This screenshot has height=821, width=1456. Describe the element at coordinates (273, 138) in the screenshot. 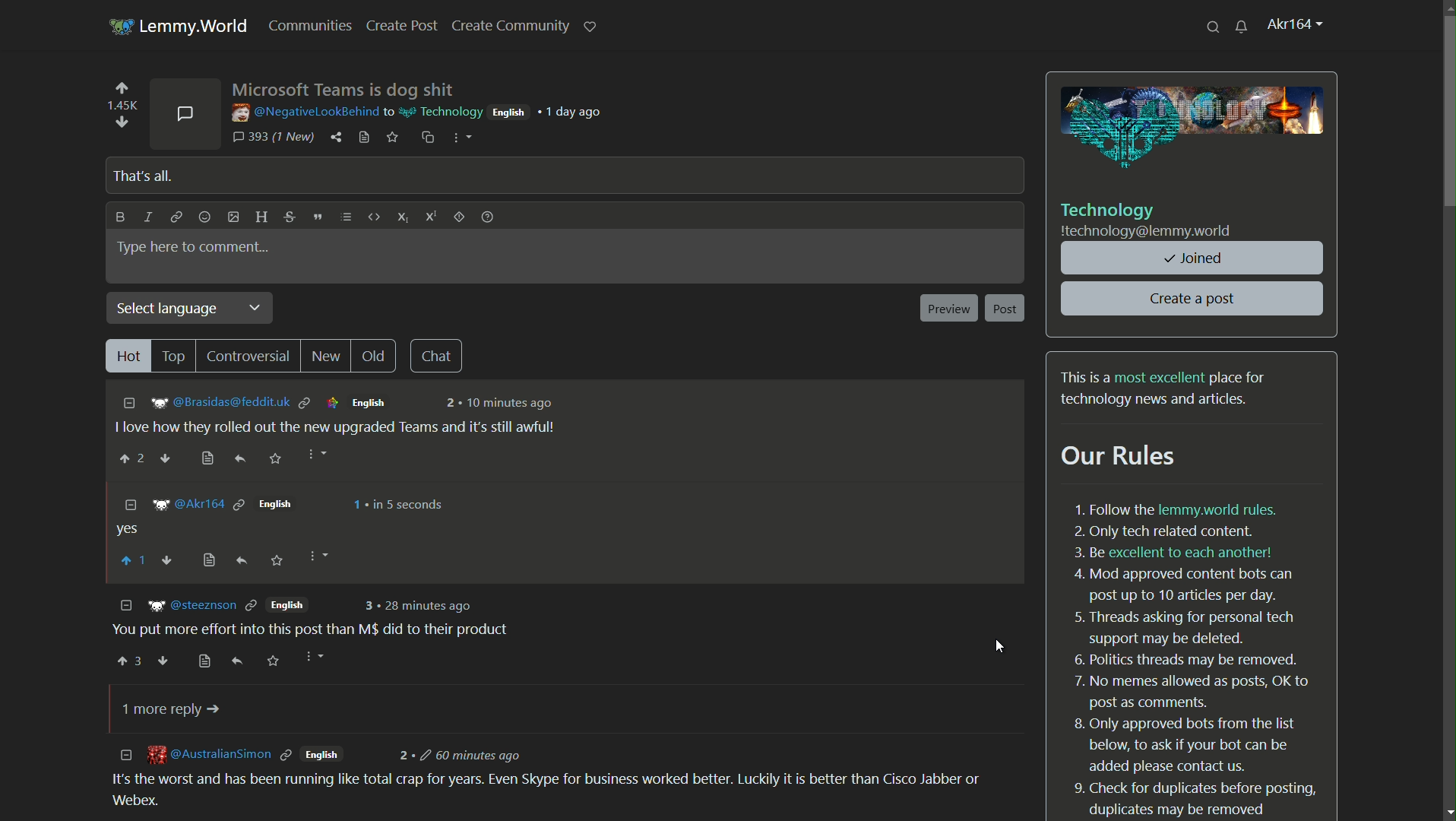

I see `393 comments` at that location.